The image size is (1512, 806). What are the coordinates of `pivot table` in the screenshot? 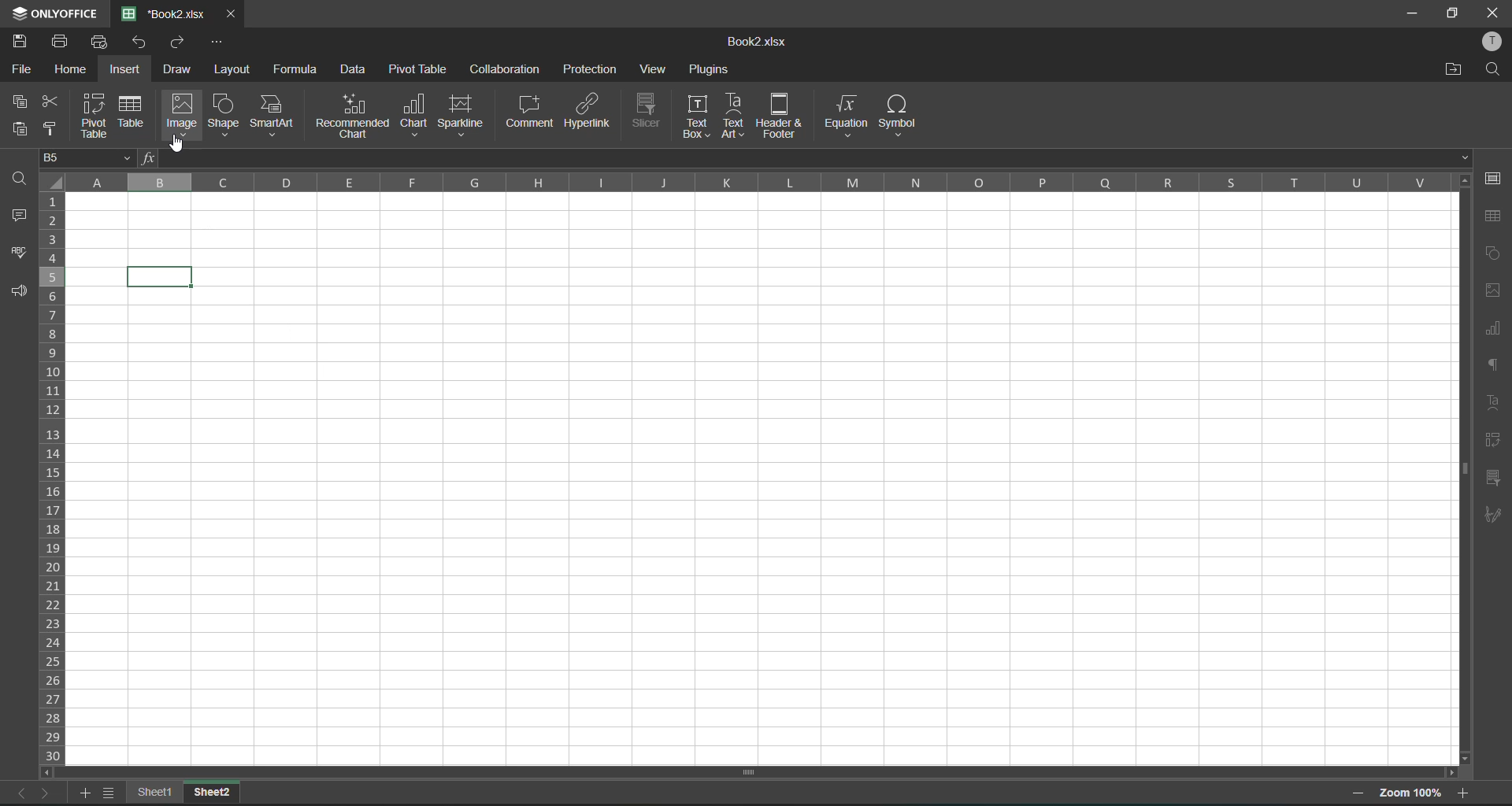 It's located at (421, 68).